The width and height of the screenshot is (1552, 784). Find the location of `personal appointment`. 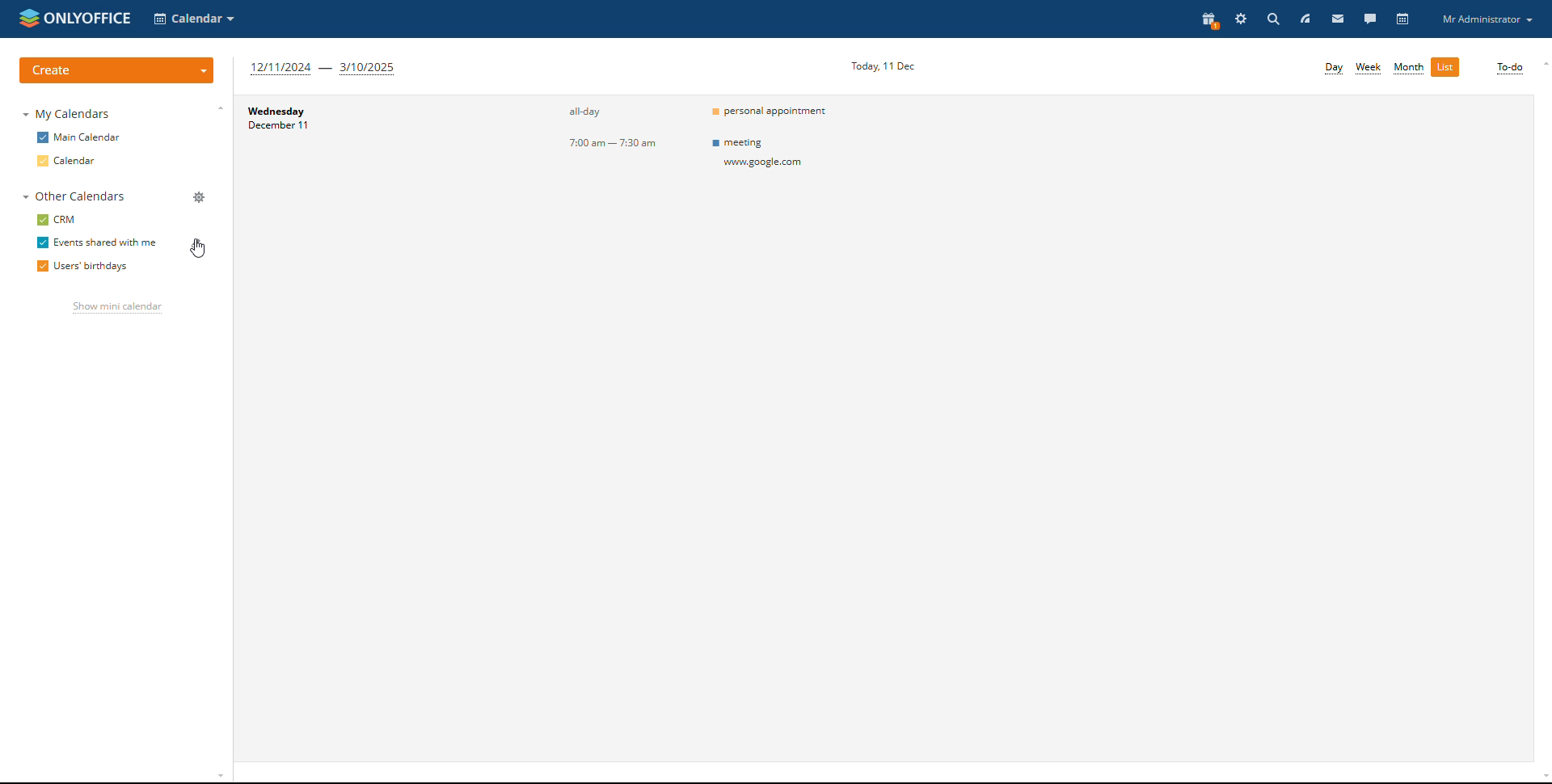

personal appointment is located at coordinates (773, 110).